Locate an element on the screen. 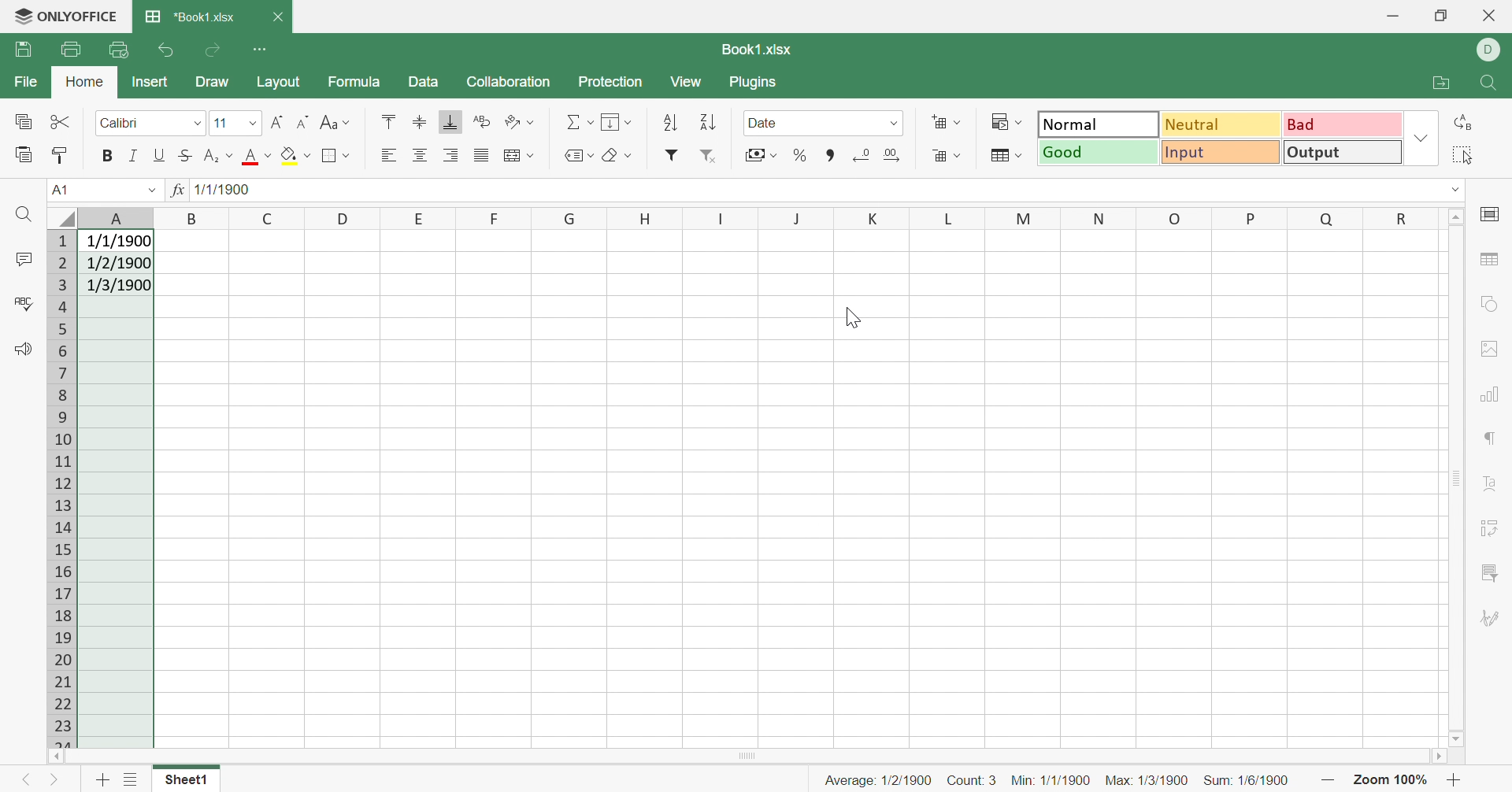 This screenshot has width=1512, height=792. Format as table template is located at coordinates (1004, 155).